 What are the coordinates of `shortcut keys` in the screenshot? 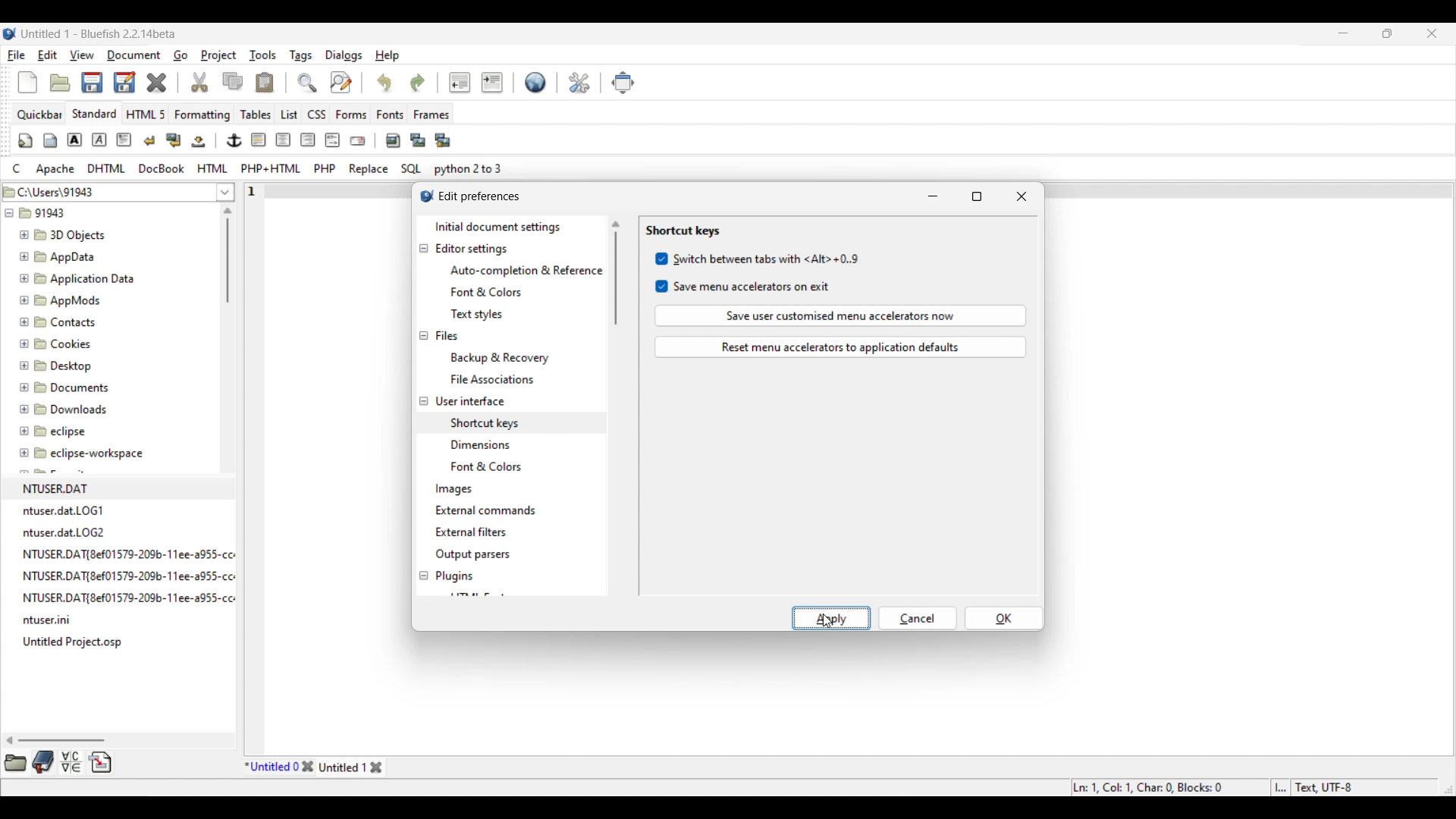 It's located at (484, 421).